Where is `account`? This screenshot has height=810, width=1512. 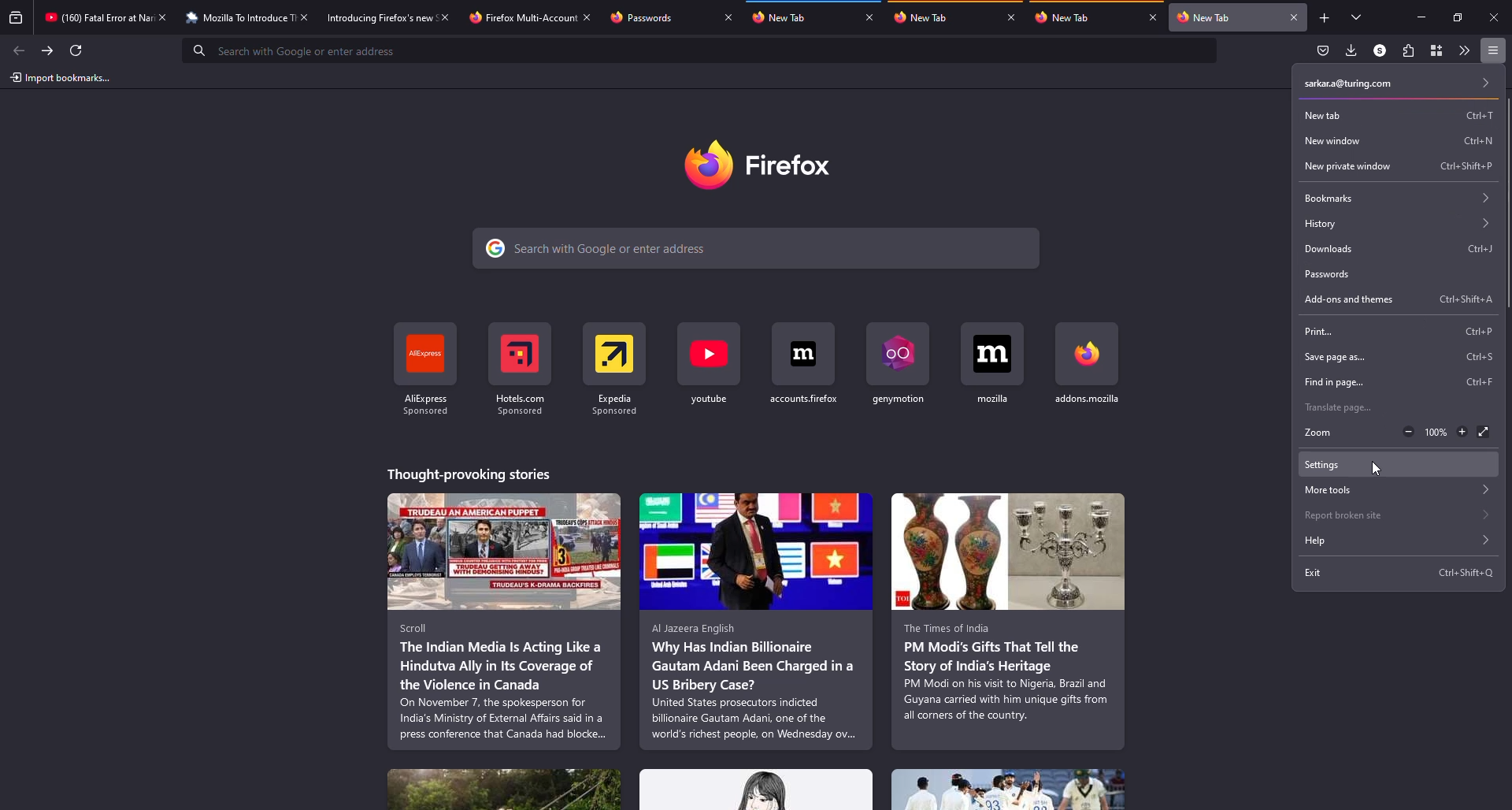 account is located at coordinates (1380, 51).